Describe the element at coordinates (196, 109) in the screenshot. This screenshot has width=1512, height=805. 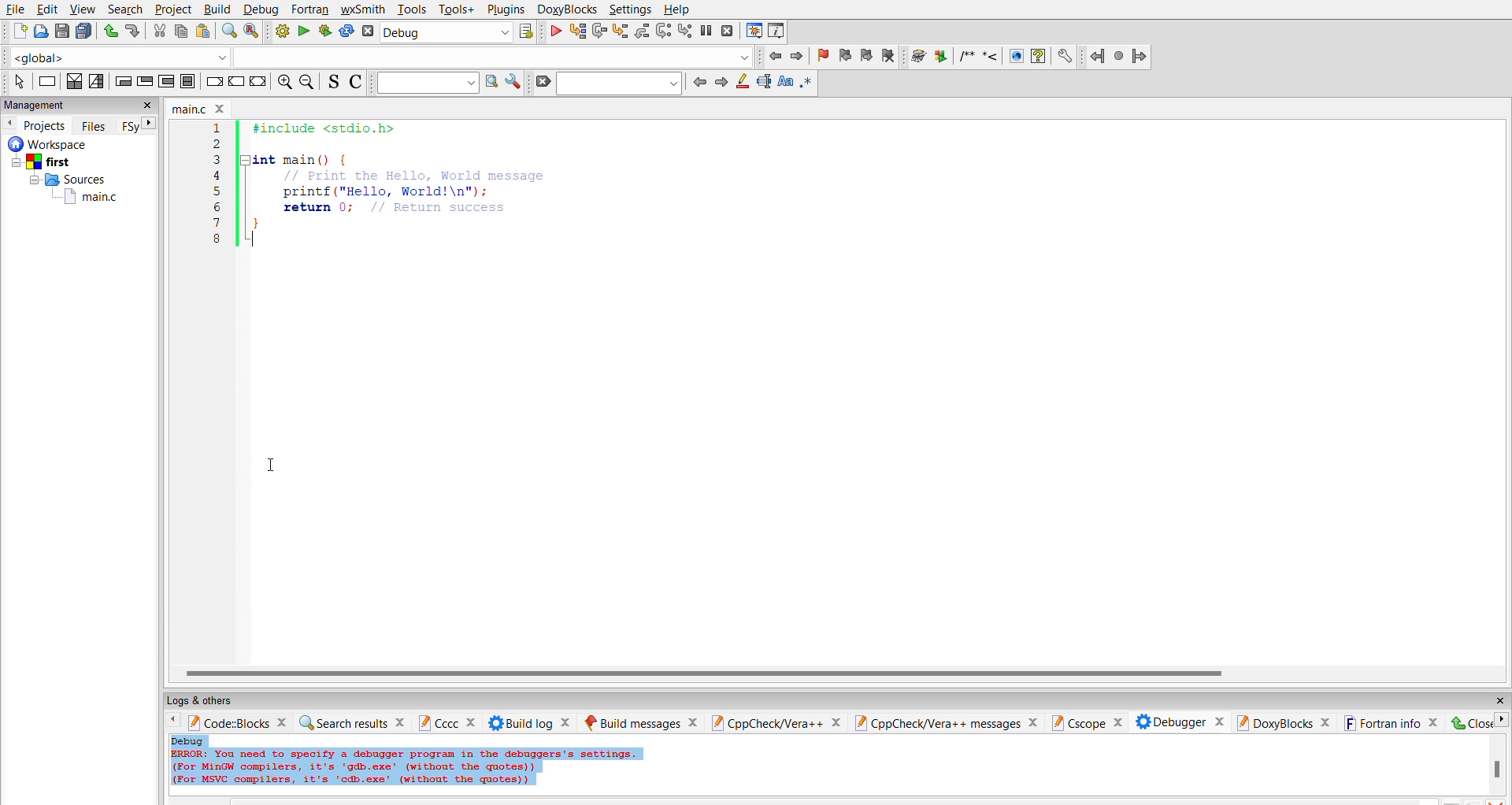
I see `main.c` at that location.